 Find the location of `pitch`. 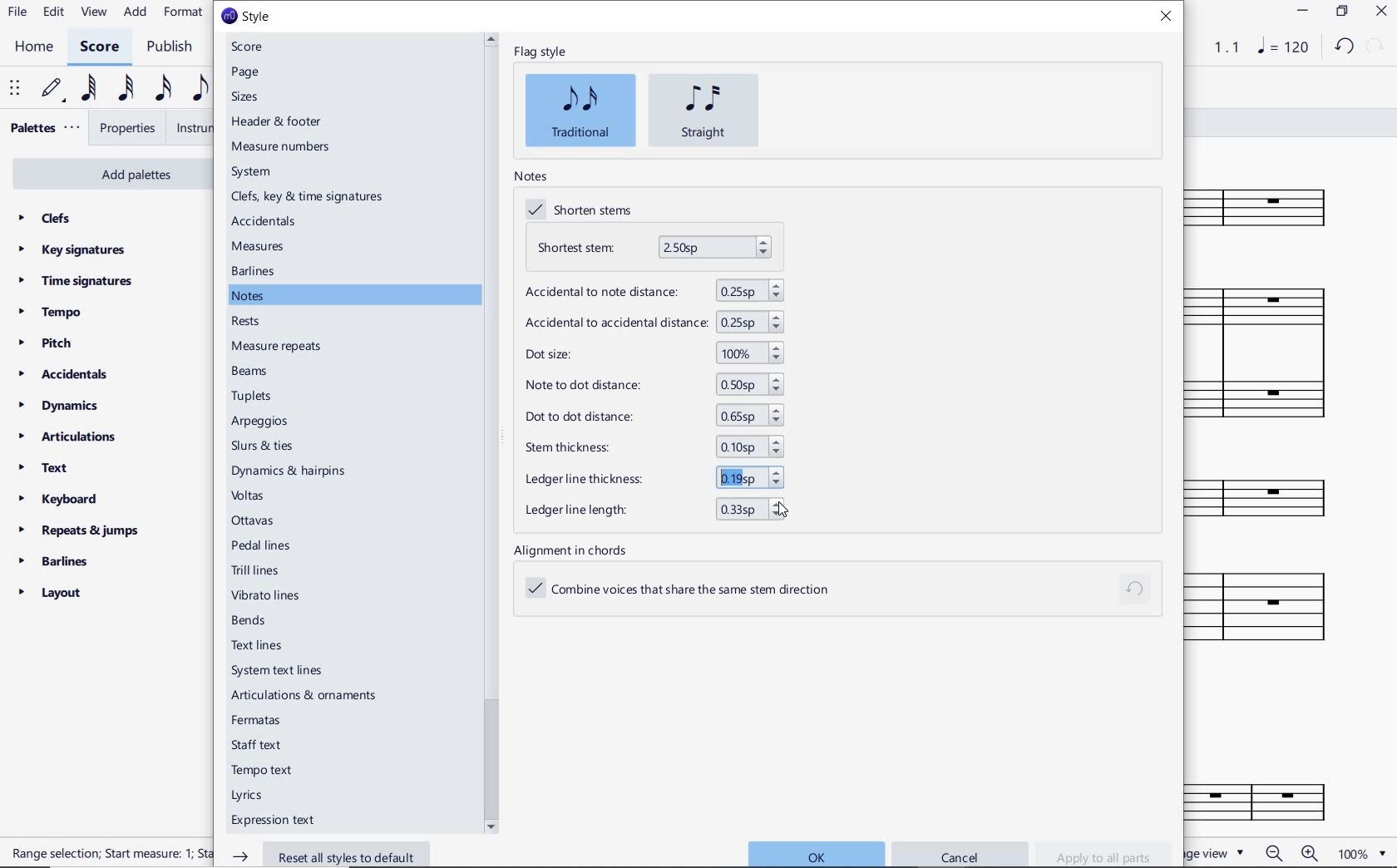

pitch is located at coordinates (46, 344).